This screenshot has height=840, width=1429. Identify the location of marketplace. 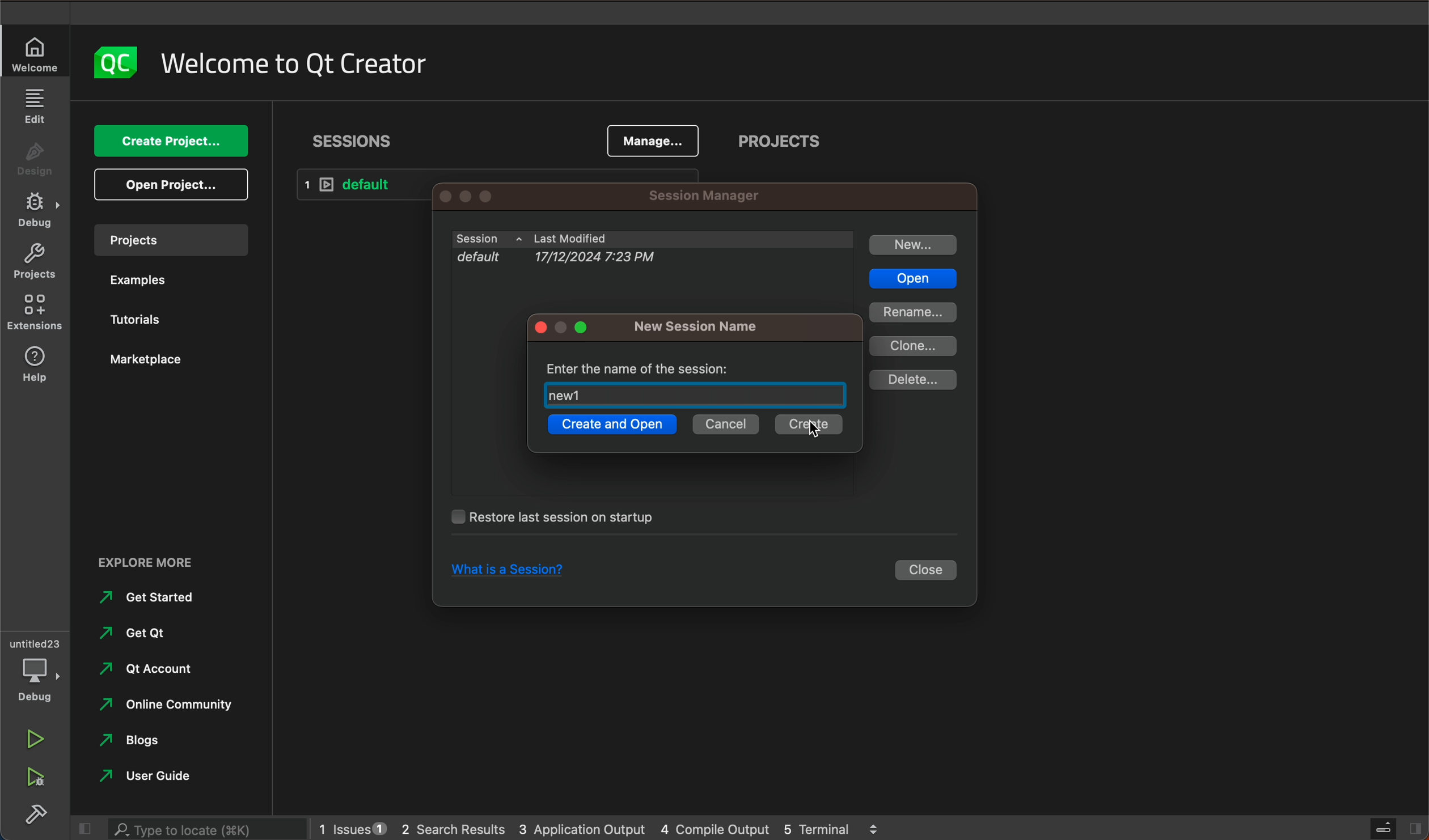
(152, 359).